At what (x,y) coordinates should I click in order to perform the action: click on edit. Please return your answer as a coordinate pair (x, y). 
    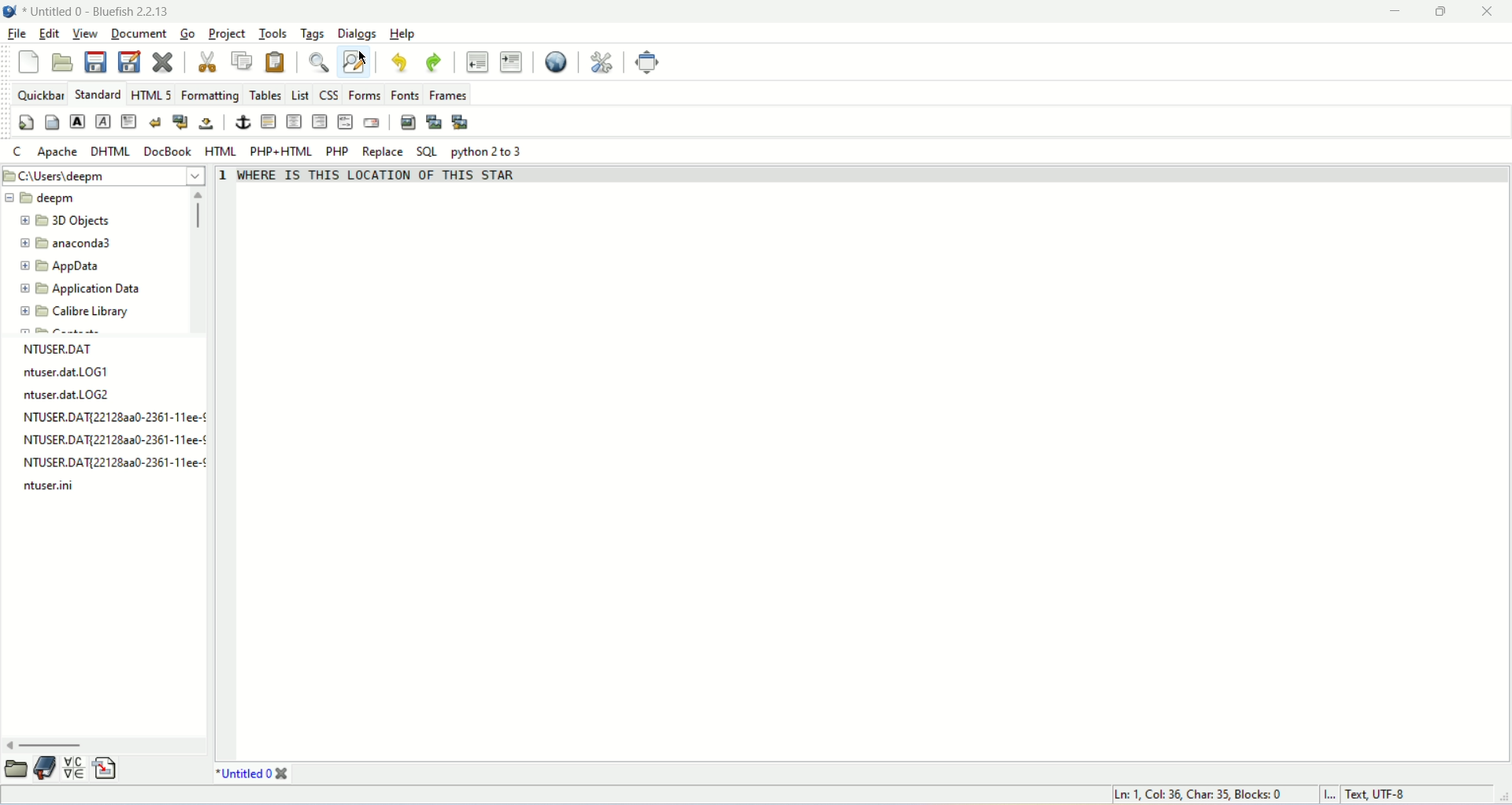
    Looking at the image, I should click on (51, 35).